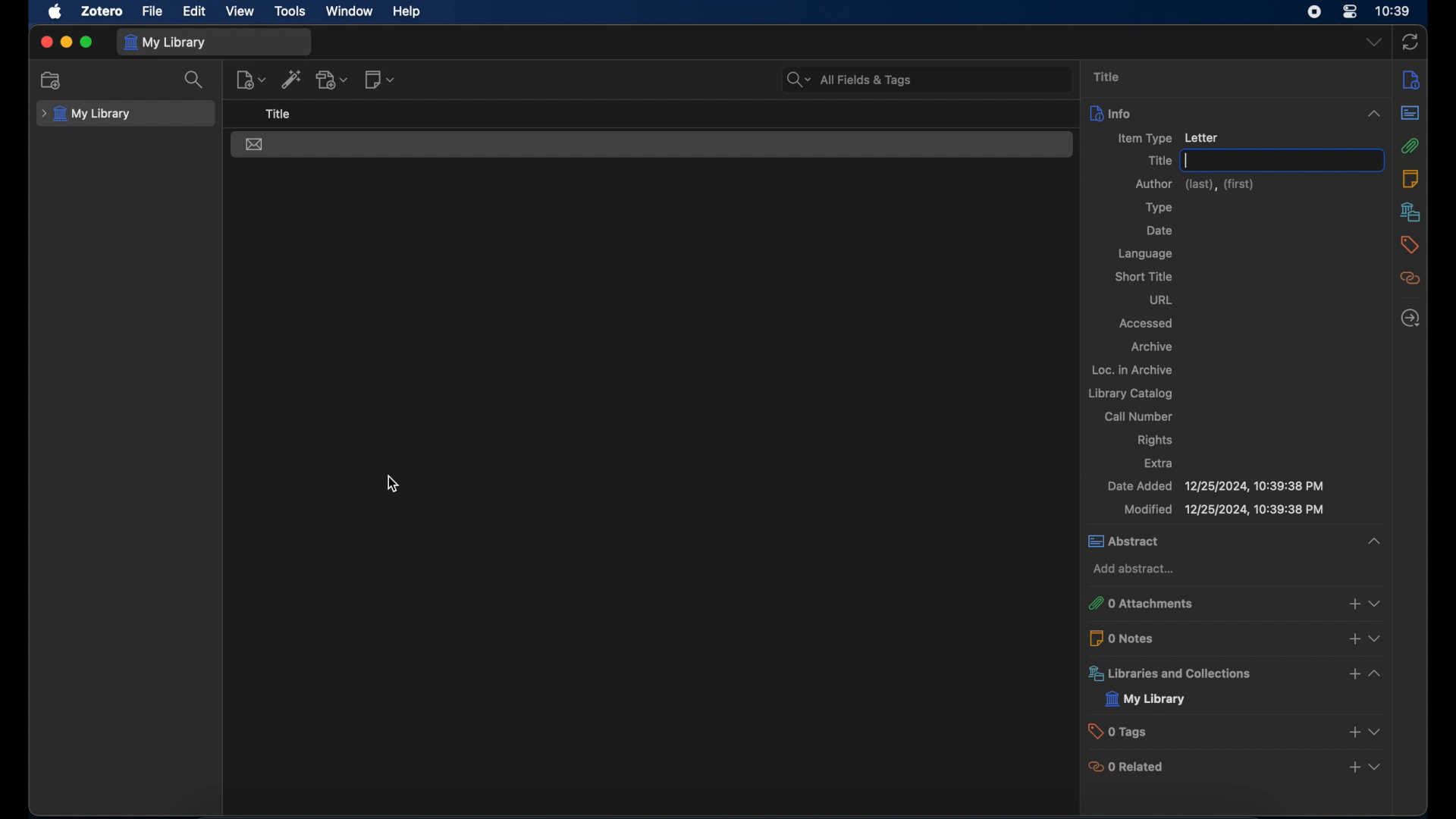 This screenshot has width=1456, height=819. I want to click on notes, so click(1410, 178).